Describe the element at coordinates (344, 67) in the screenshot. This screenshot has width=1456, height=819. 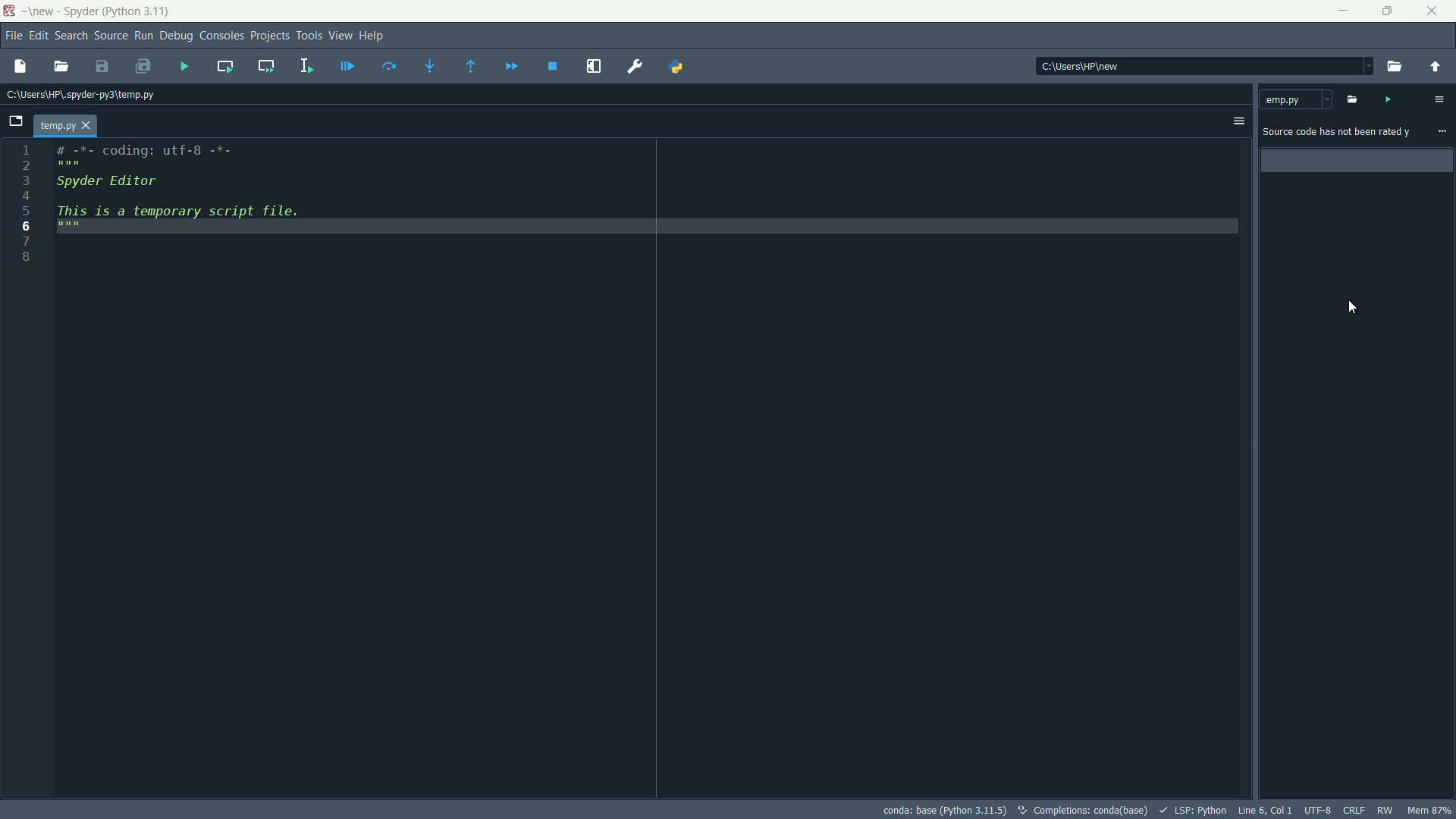
I see `debug file` at that location.